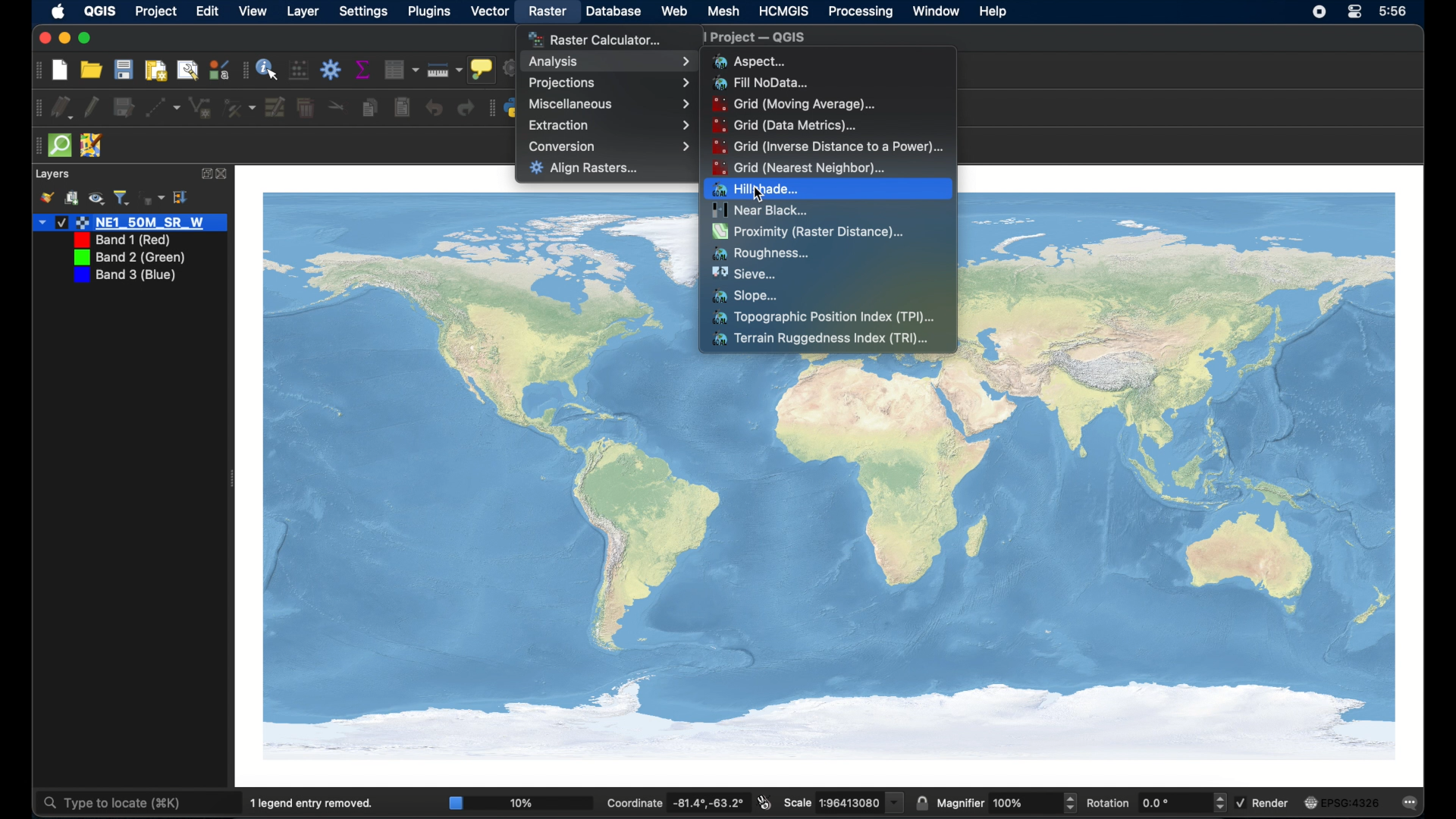 The height and width of the screenshot is (819, 1456). What do you see at coordinates (303, 11) in the screenshot?
I see `layer` at bounding box center [303, 11].